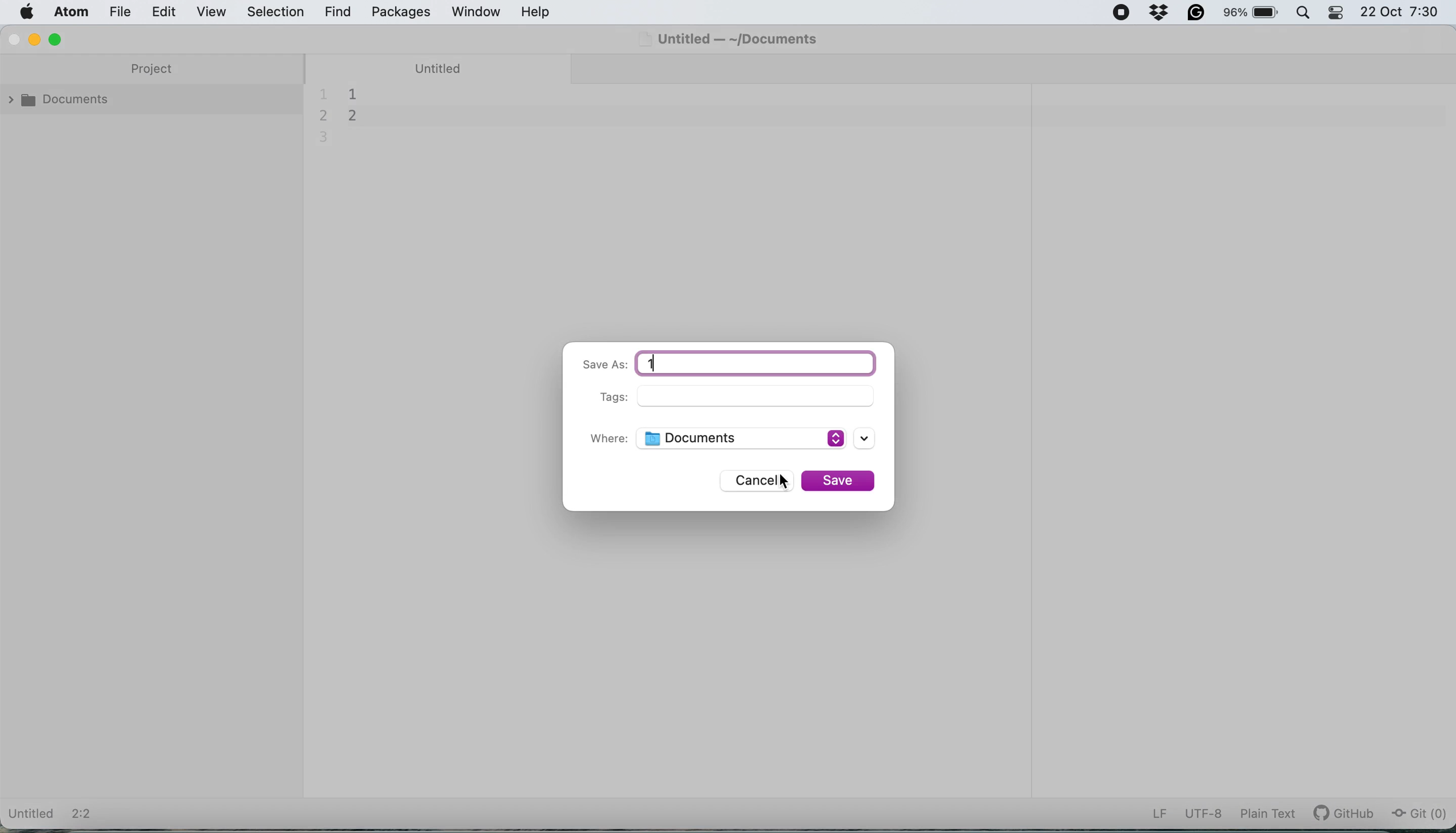 The height and width of the screenshot is (833, 1456). I want to click on close, so click(13, 39).